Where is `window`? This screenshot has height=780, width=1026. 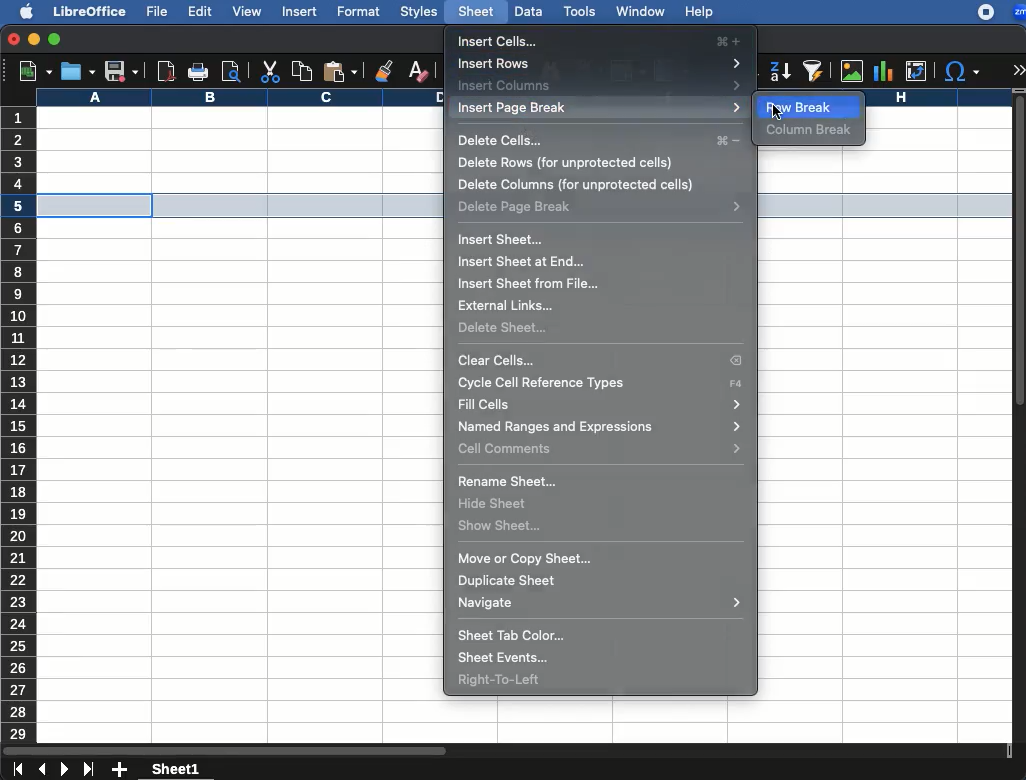
window is located at coordinates (641, 10).